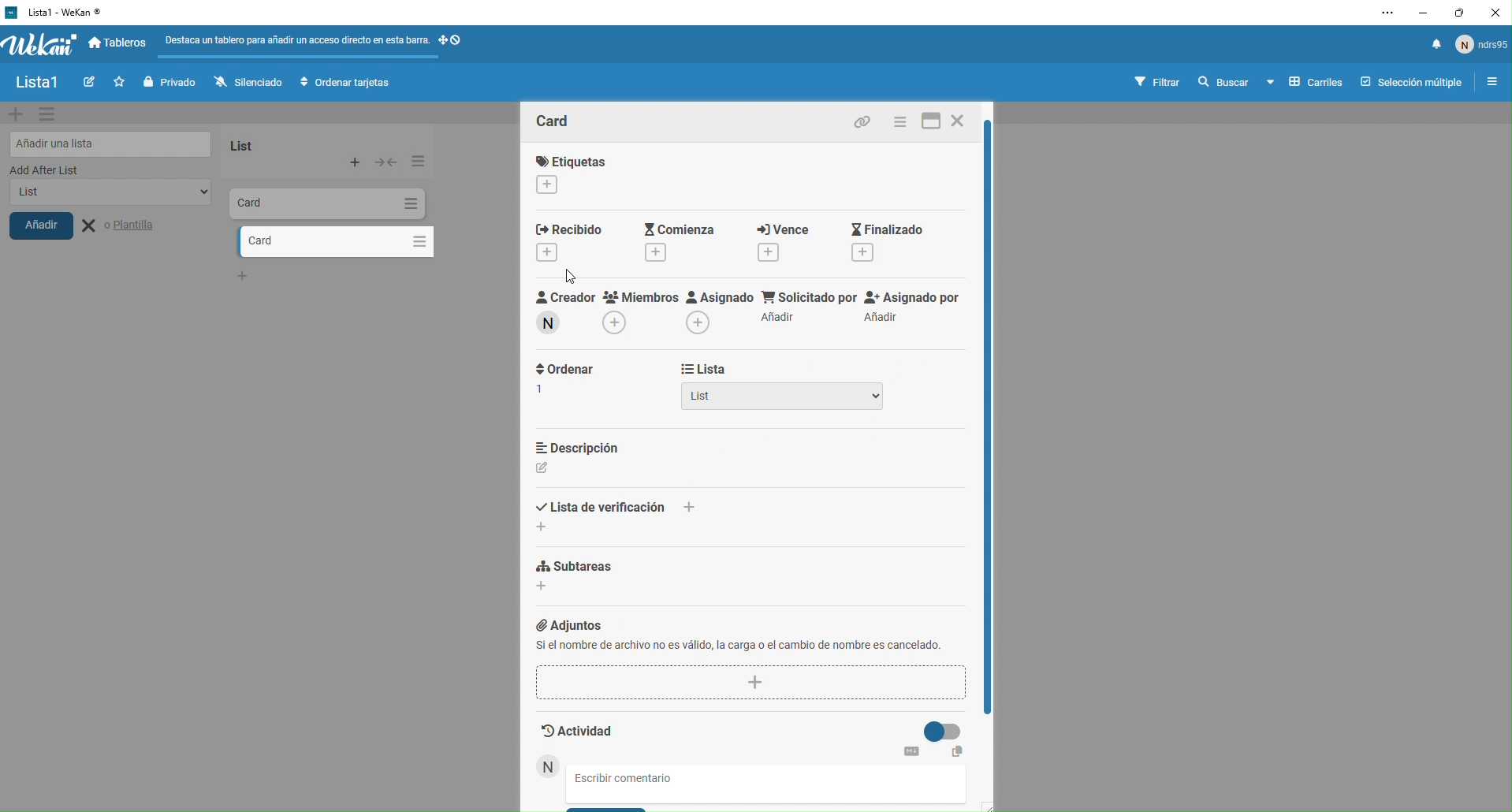  Describe the element at coordinates (36, 84) in the screenshot. I see `lista1` at that location.